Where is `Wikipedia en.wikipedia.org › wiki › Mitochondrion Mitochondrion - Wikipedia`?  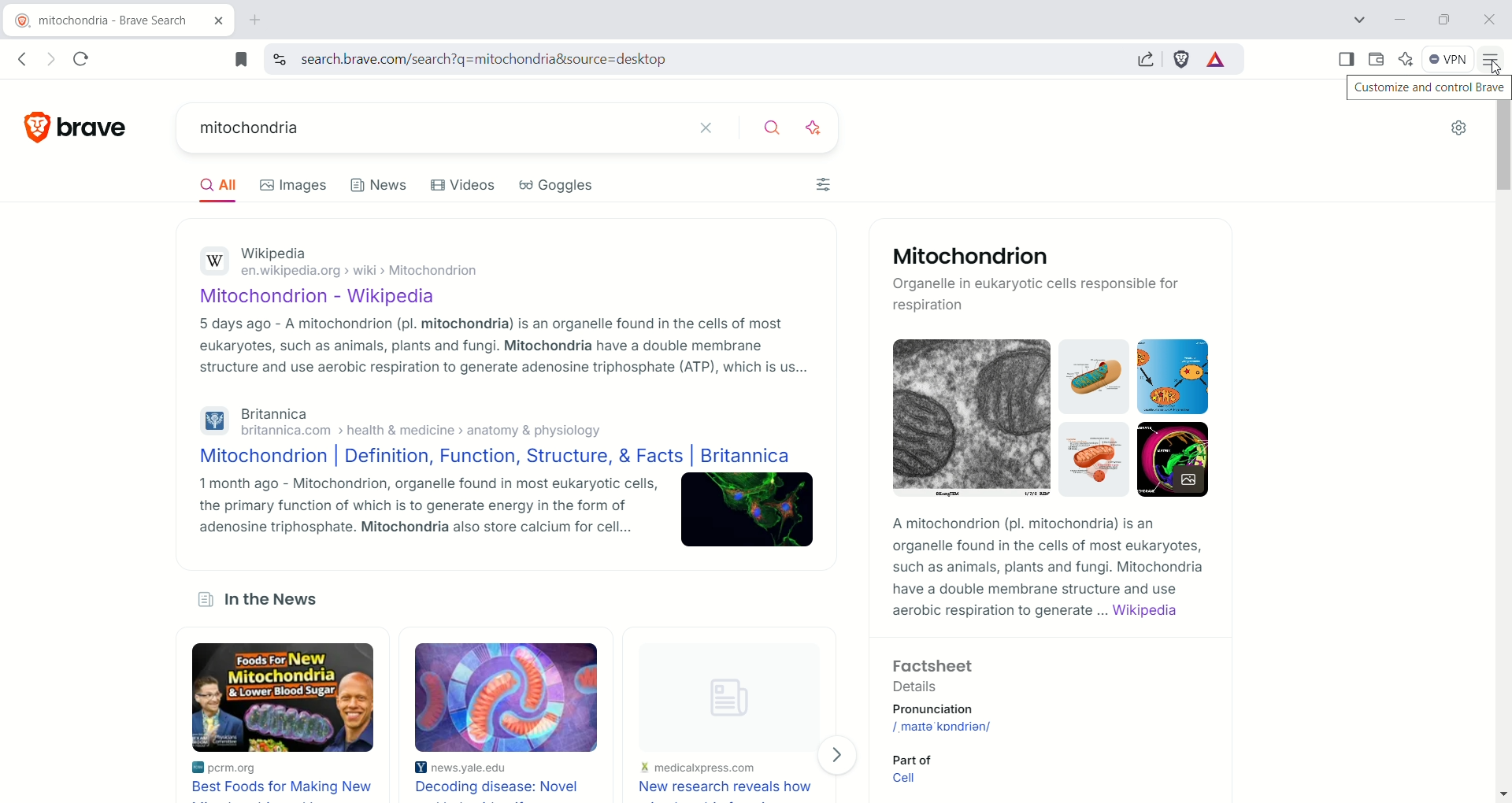
Wikipedia en.wikipedia.org › wiki › Mitochondrion Mitochondrion - Wikipedia is located at coordinates (376, 276).